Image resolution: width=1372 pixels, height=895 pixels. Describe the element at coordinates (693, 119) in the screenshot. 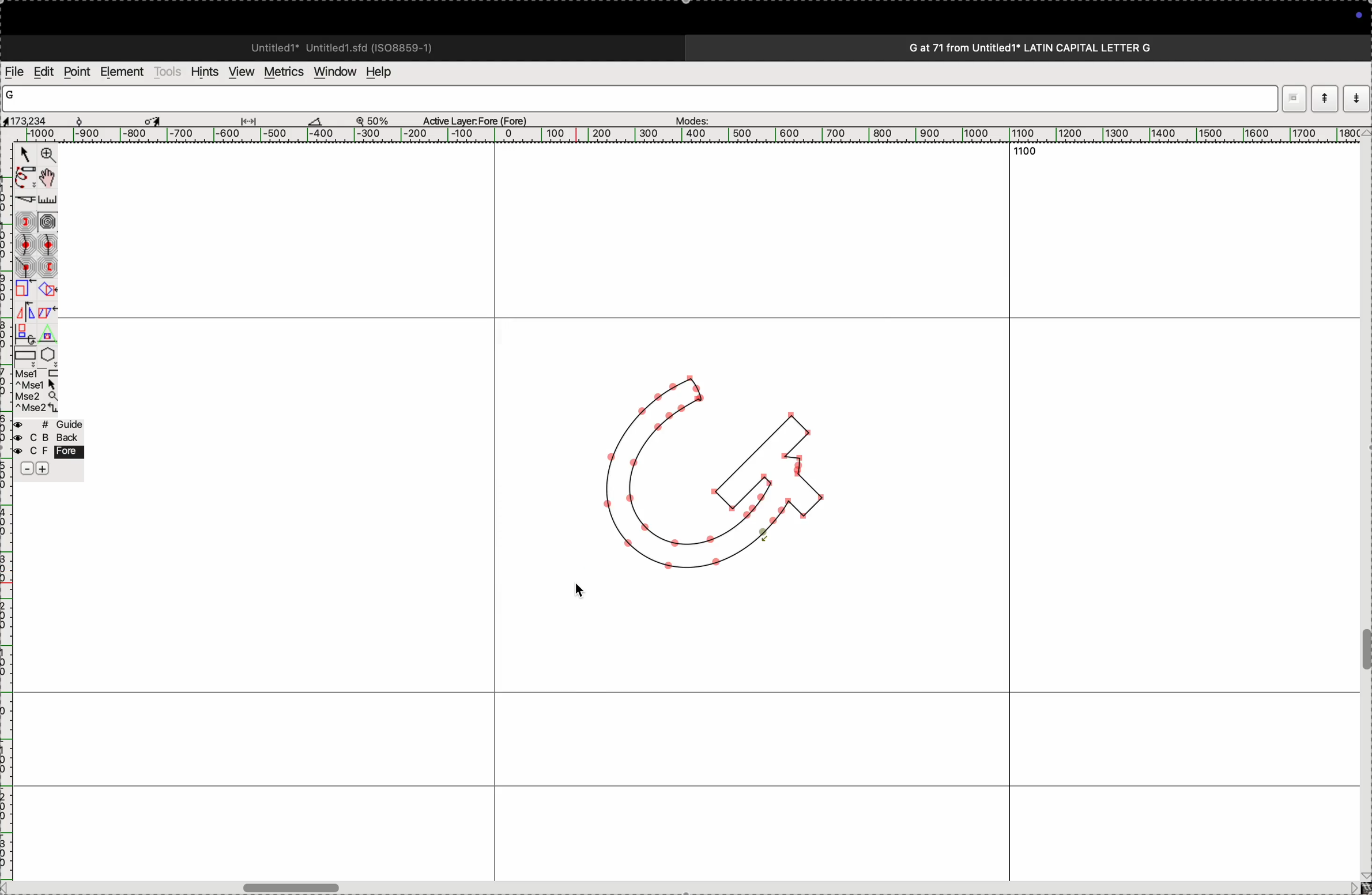

I see `modes` at that location.